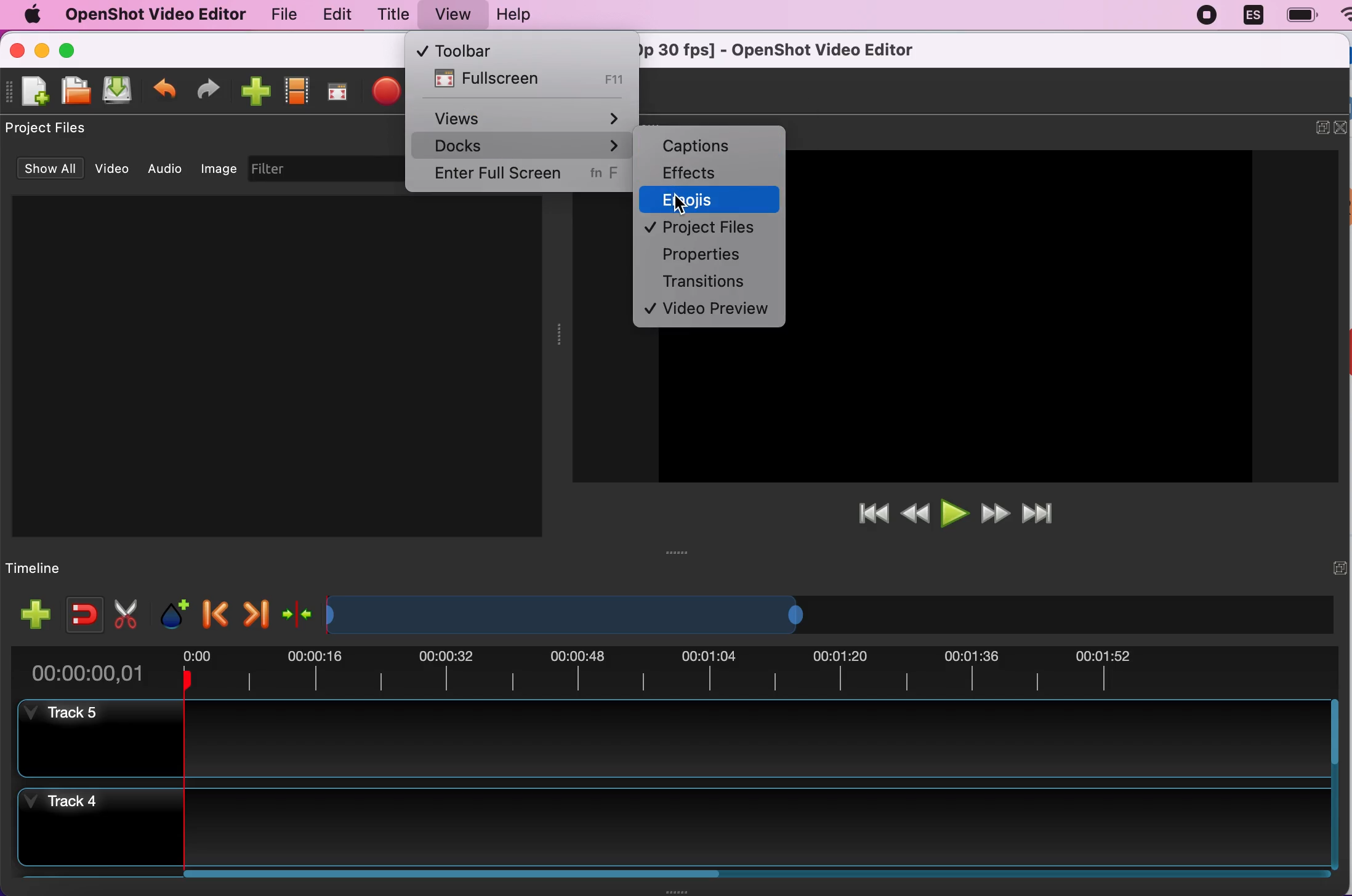 The width and height of the screenshot is (1352, 896). I want to click on views, so click(529, 116).